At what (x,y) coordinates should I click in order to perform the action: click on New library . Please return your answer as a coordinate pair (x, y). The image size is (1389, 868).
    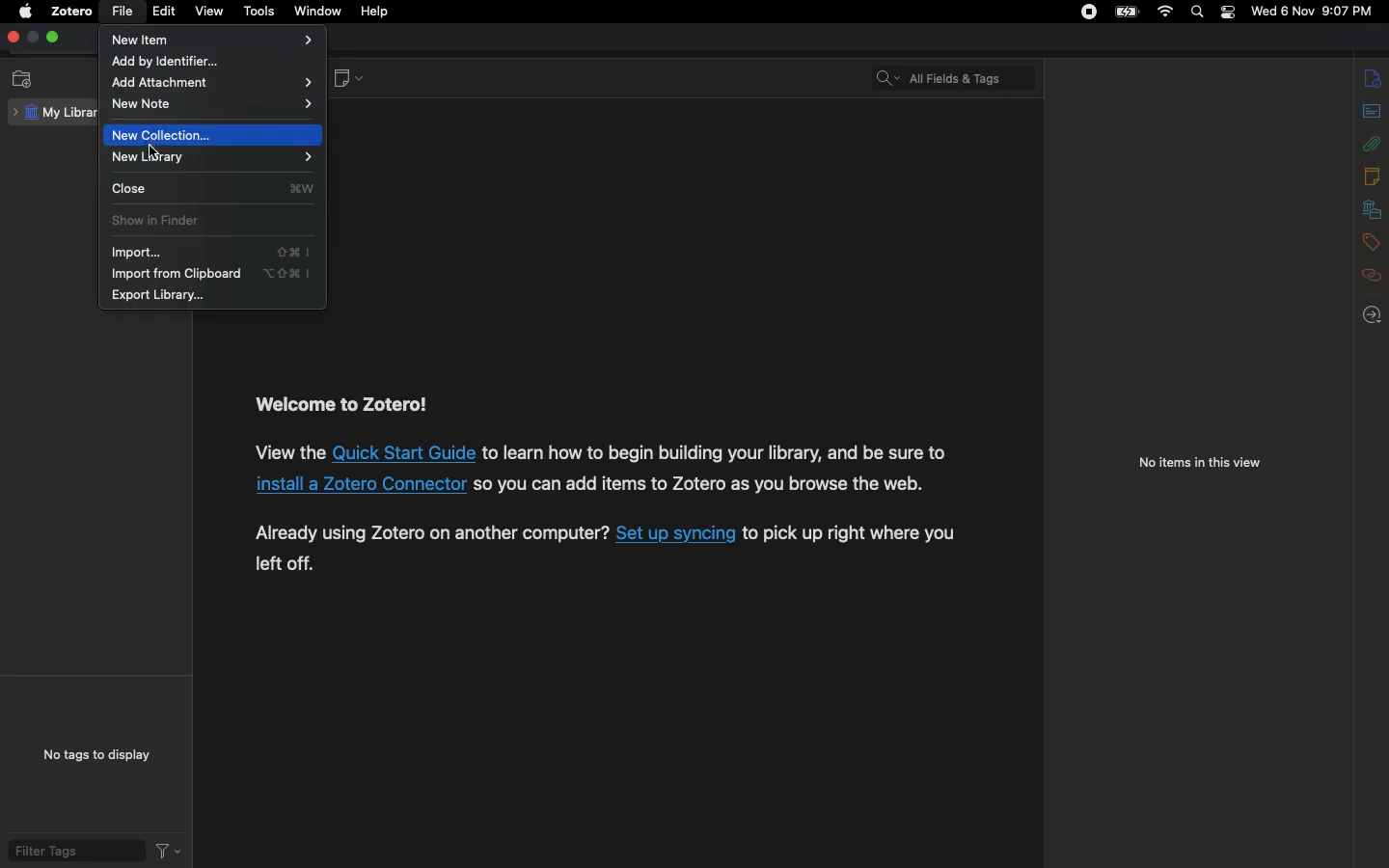
    Looking at the image, I should click on (206, 159).